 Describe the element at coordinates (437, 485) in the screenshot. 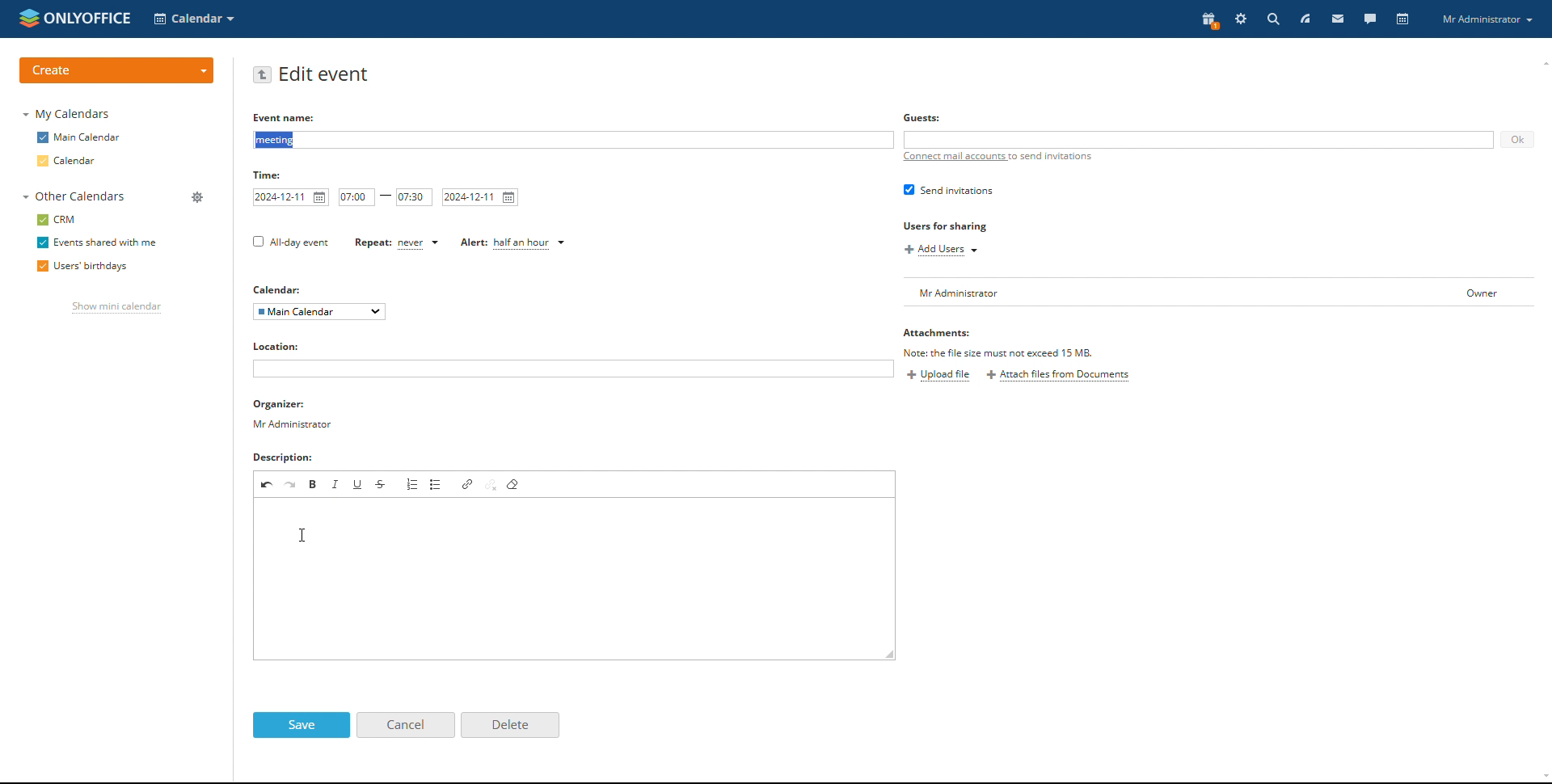

I see `insert/remove bulleted list` at that location.